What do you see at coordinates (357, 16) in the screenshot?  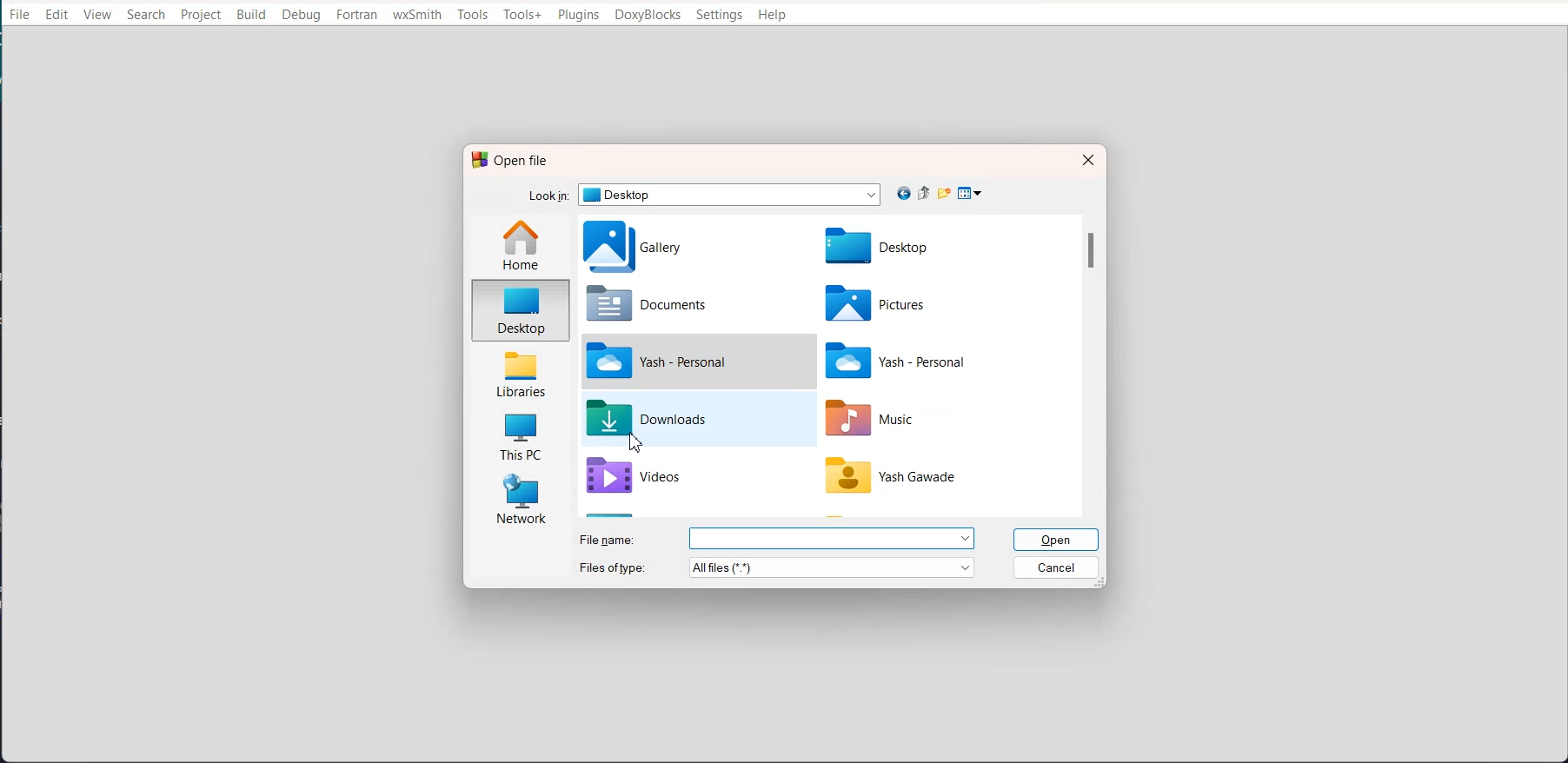 I see `Fortran` at bounding box center [357, 16].